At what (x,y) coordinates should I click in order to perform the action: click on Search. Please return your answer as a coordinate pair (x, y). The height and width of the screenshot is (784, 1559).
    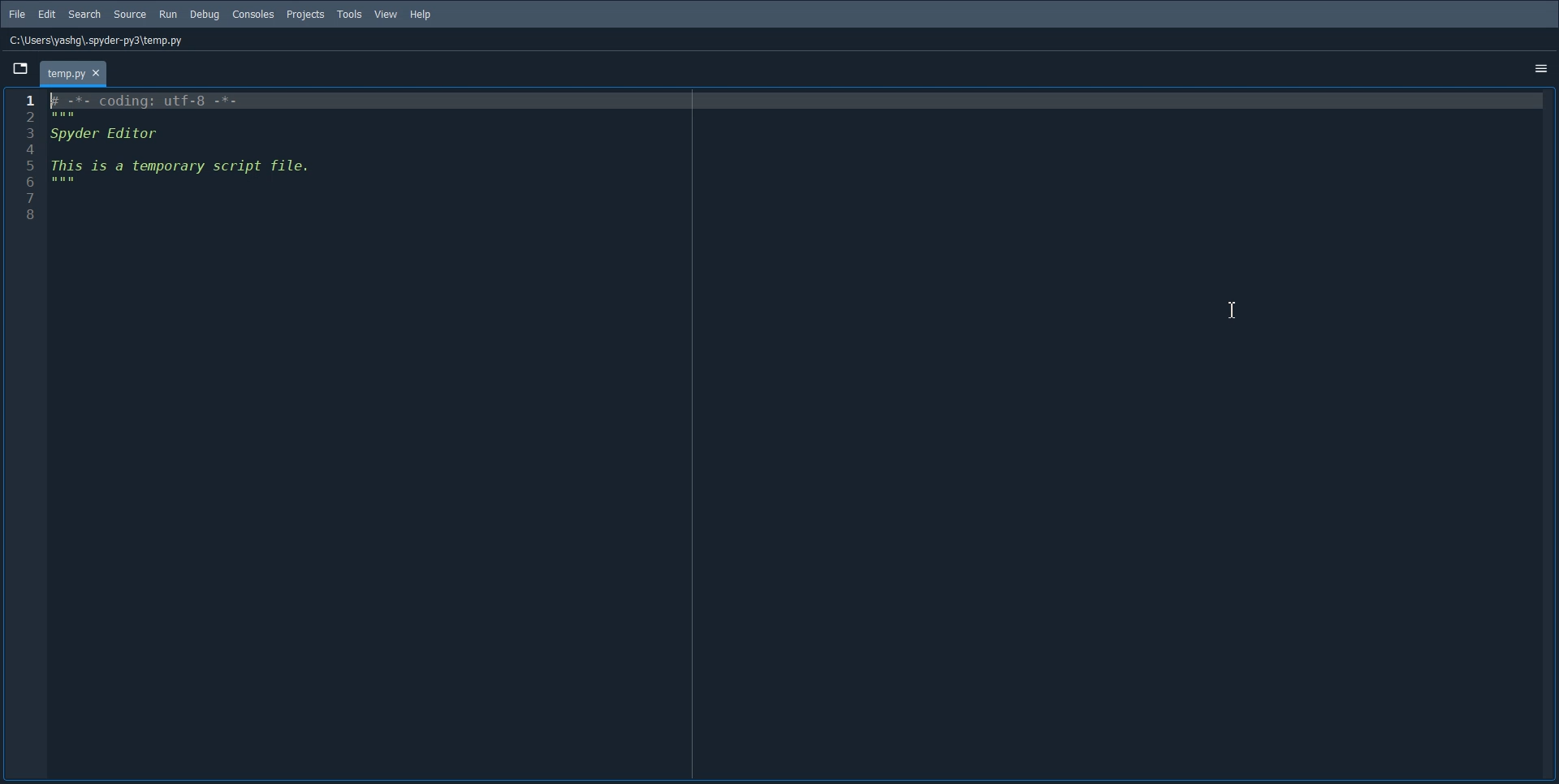
    Looking at the image, I should click on (84, 14).